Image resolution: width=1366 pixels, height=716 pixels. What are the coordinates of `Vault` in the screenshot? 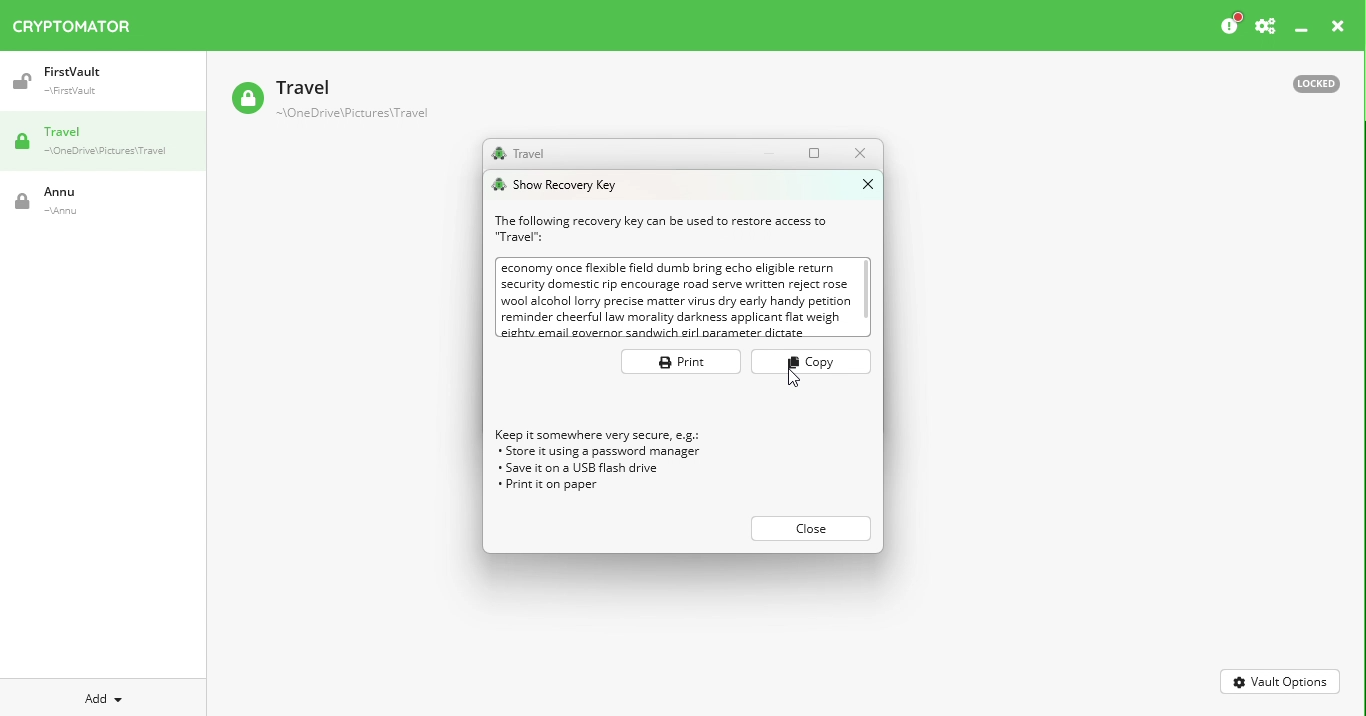 It's located at (85, 201).